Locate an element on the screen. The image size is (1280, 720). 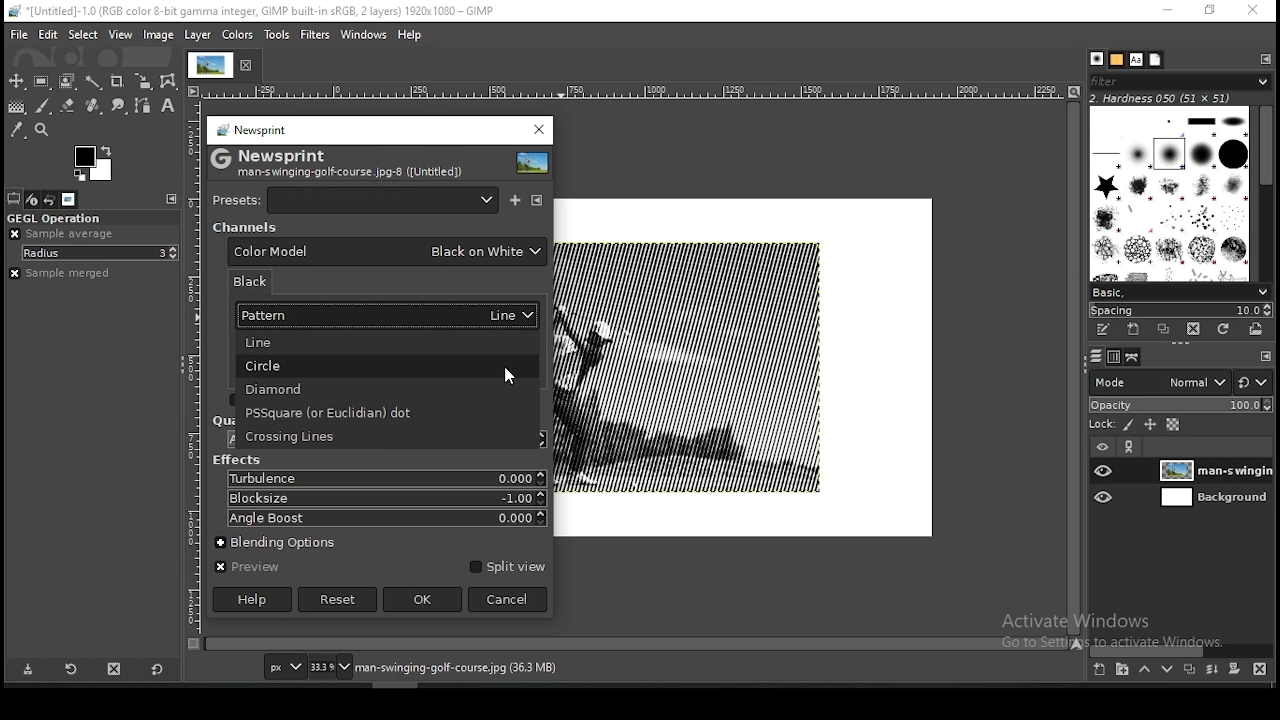
fuzzy selection tool is located at coordinates (93, 83).